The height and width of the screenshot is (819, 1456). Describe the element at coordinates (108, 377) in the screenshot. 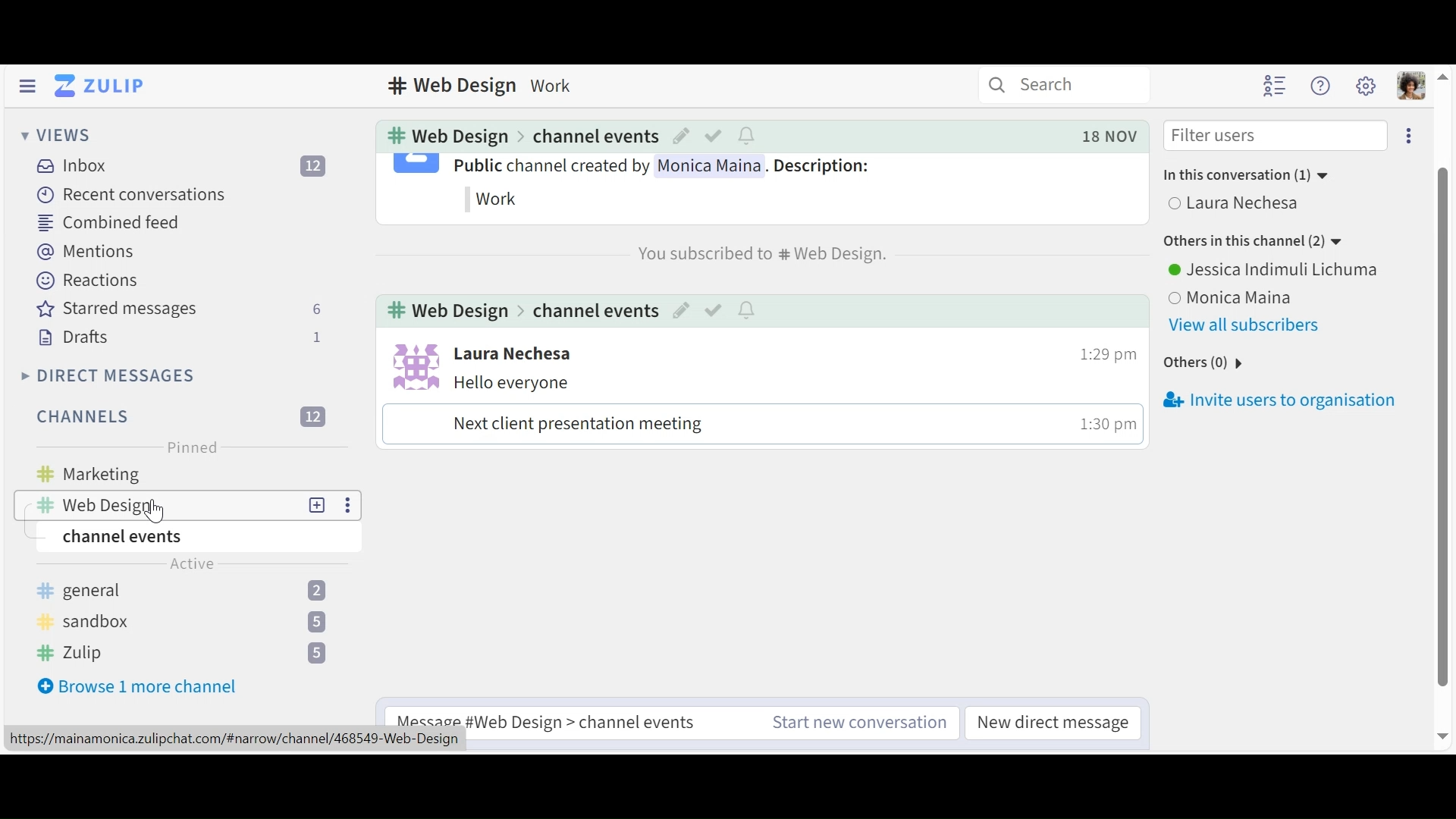

I see `Direct messages` at that location.